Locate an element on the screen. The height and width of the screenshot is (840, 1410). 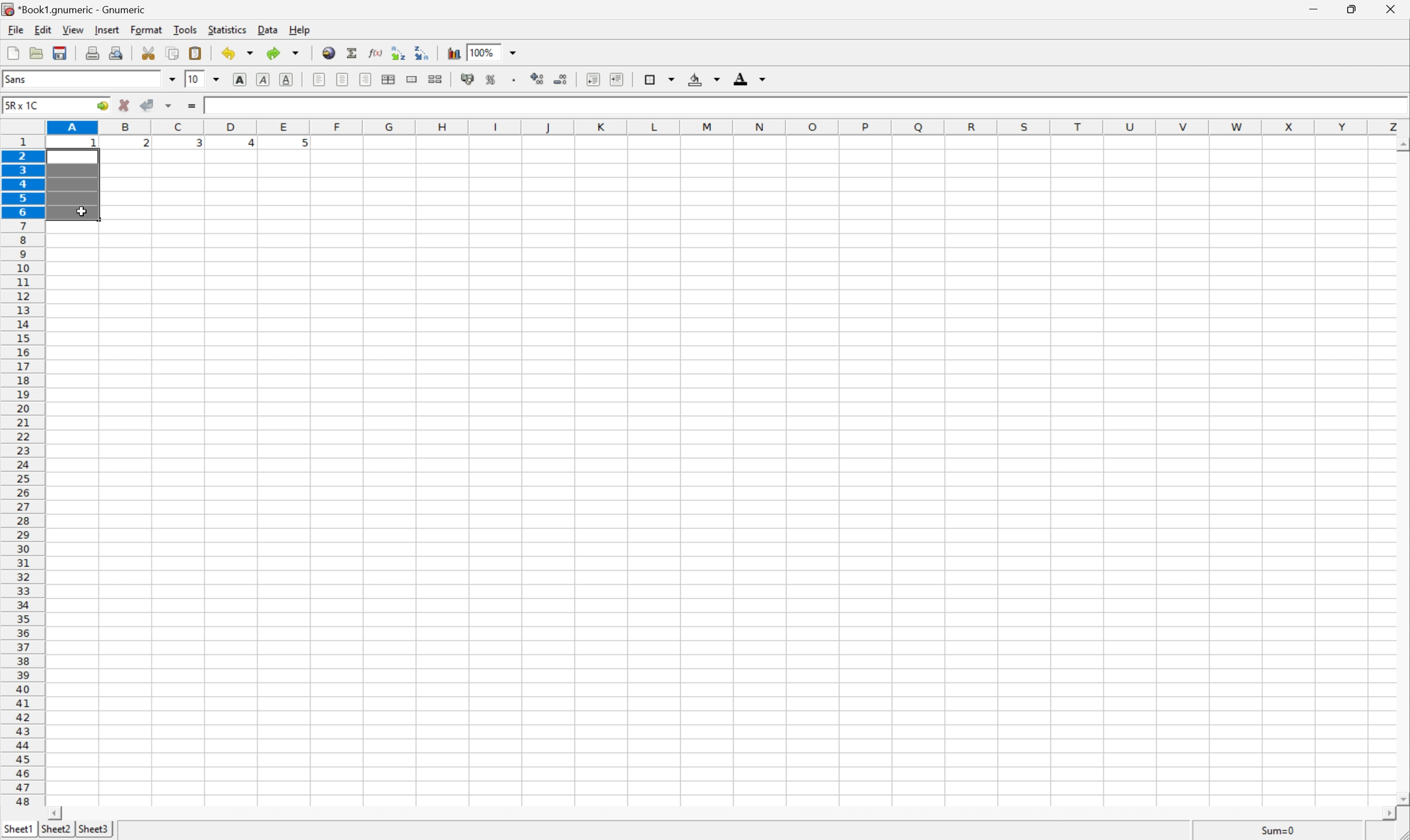
2 is located at coordinates (146, 145).